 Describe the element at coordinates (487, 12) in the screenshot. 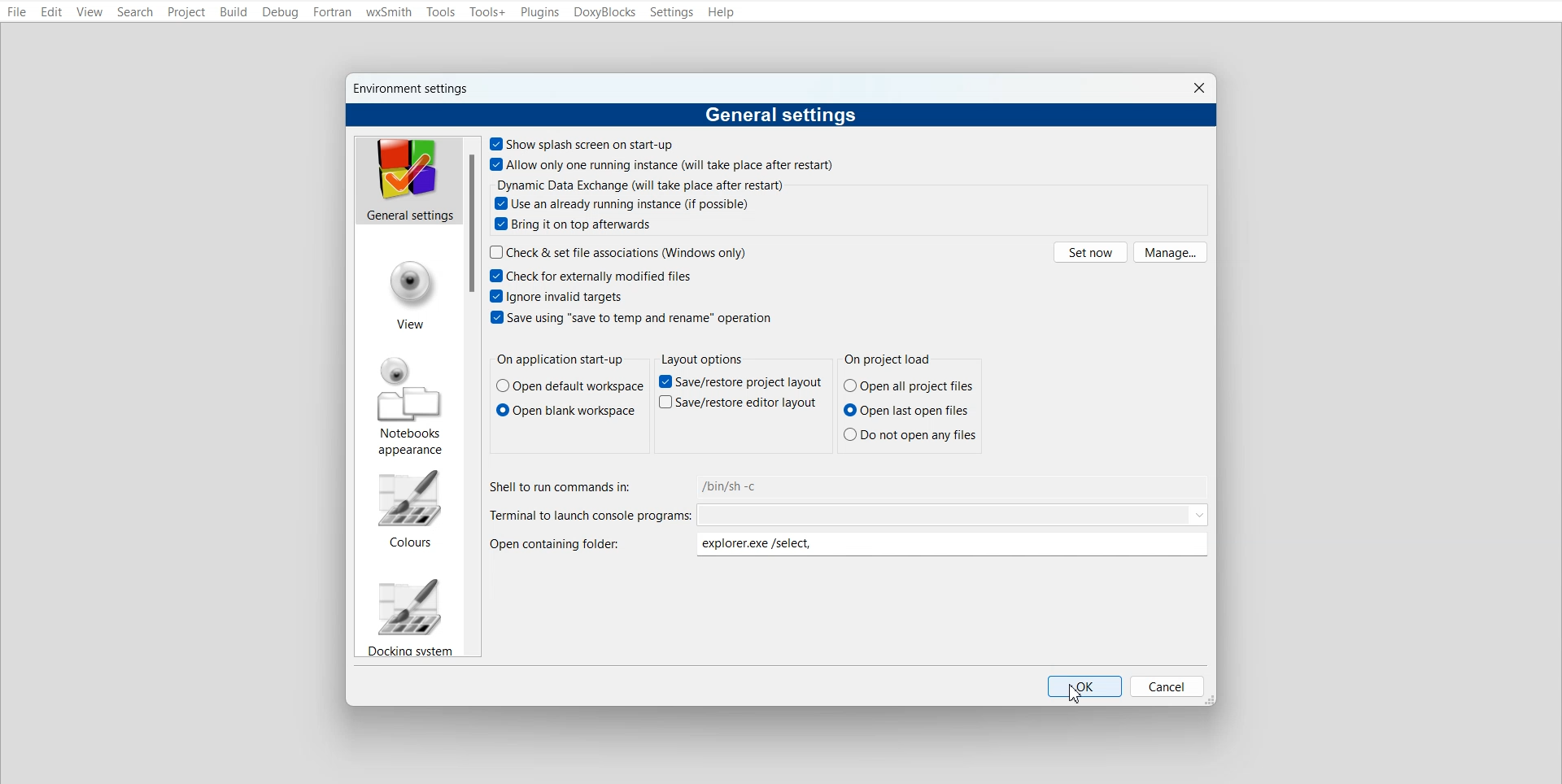

I see `Tools+` at that location.